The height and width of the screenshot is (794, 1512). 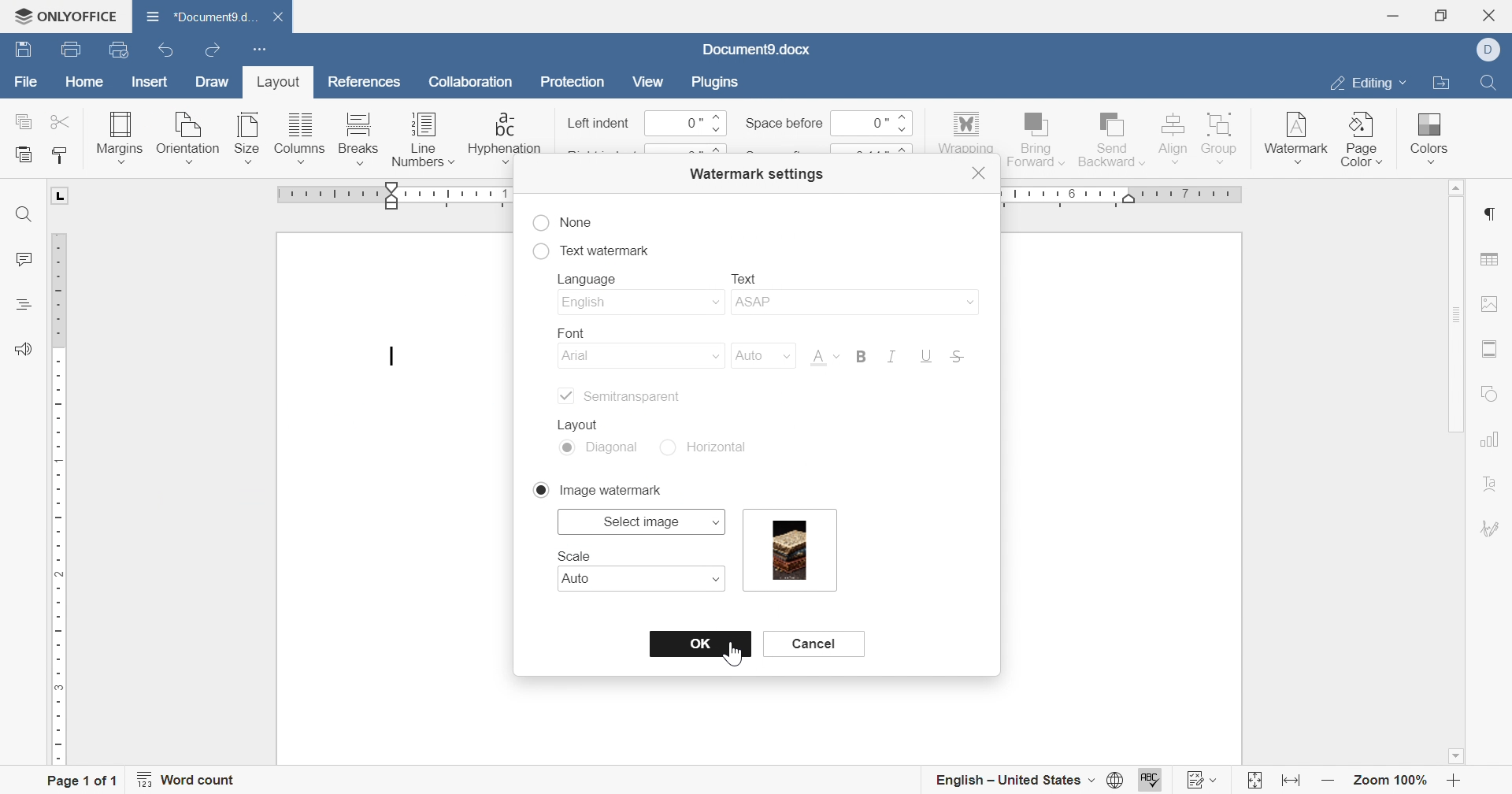 I want to click on collaboration, so click(x=473, y=86).